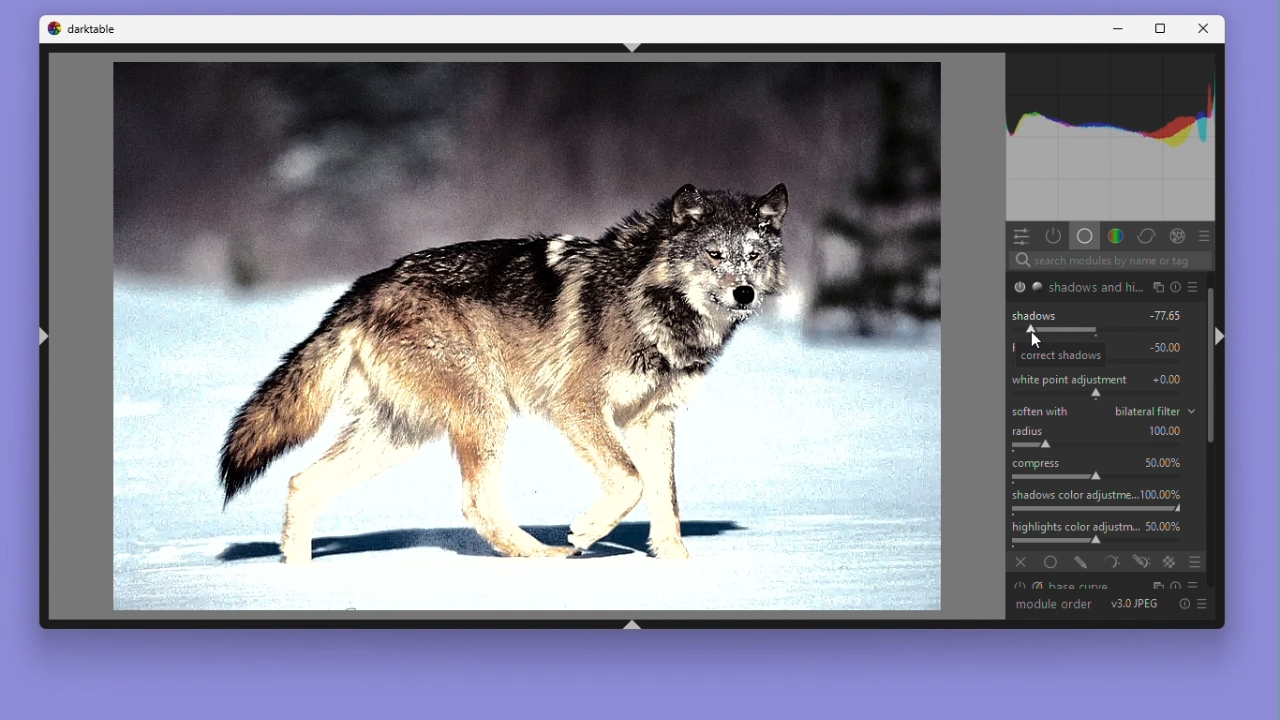 This screenshot has height=720, width=1280. What do you see at coordinates (1125, 30) in the screenshot?
I see `Minimise` at bounding box center [1125, 30].